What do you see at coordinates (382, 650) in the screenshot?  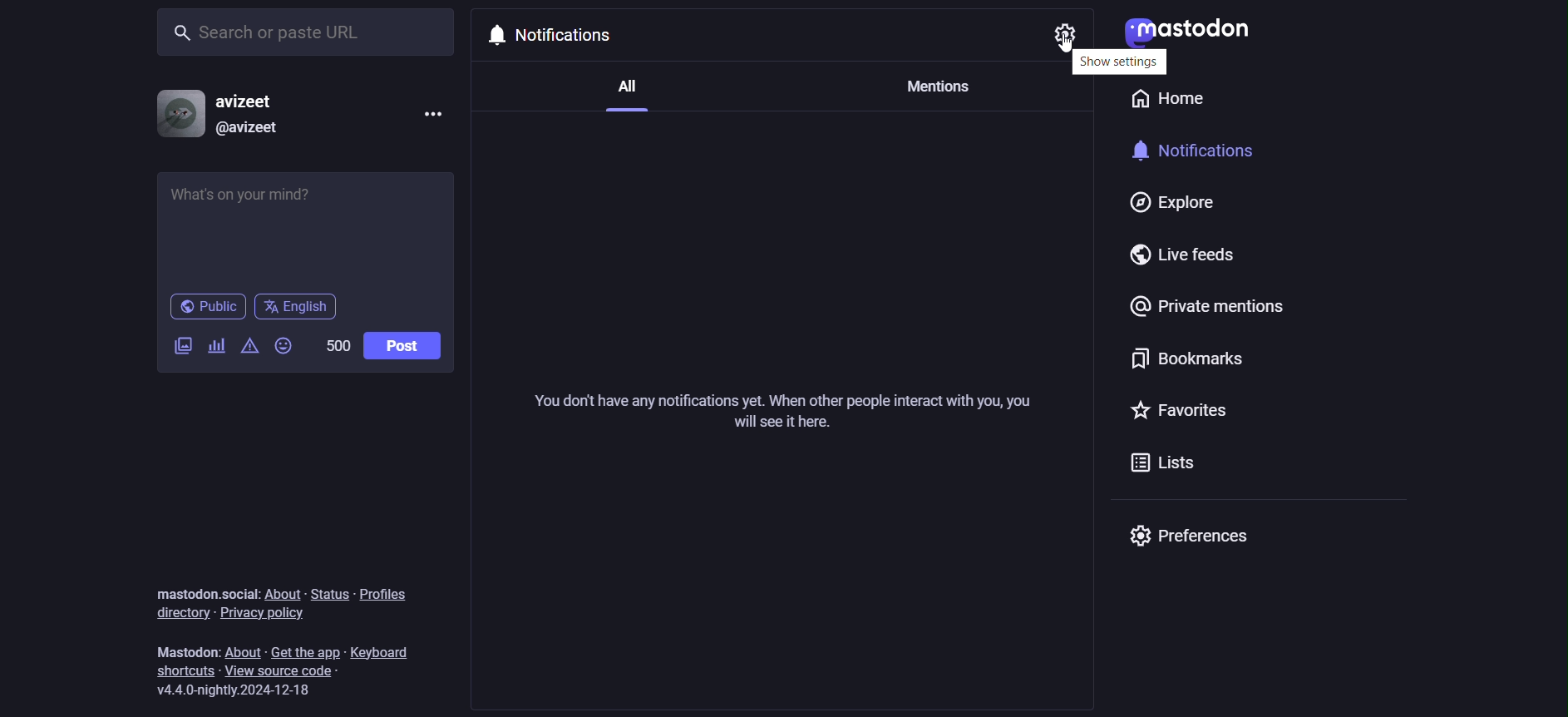 I see `keyboard` at bounding box center [382, 650].